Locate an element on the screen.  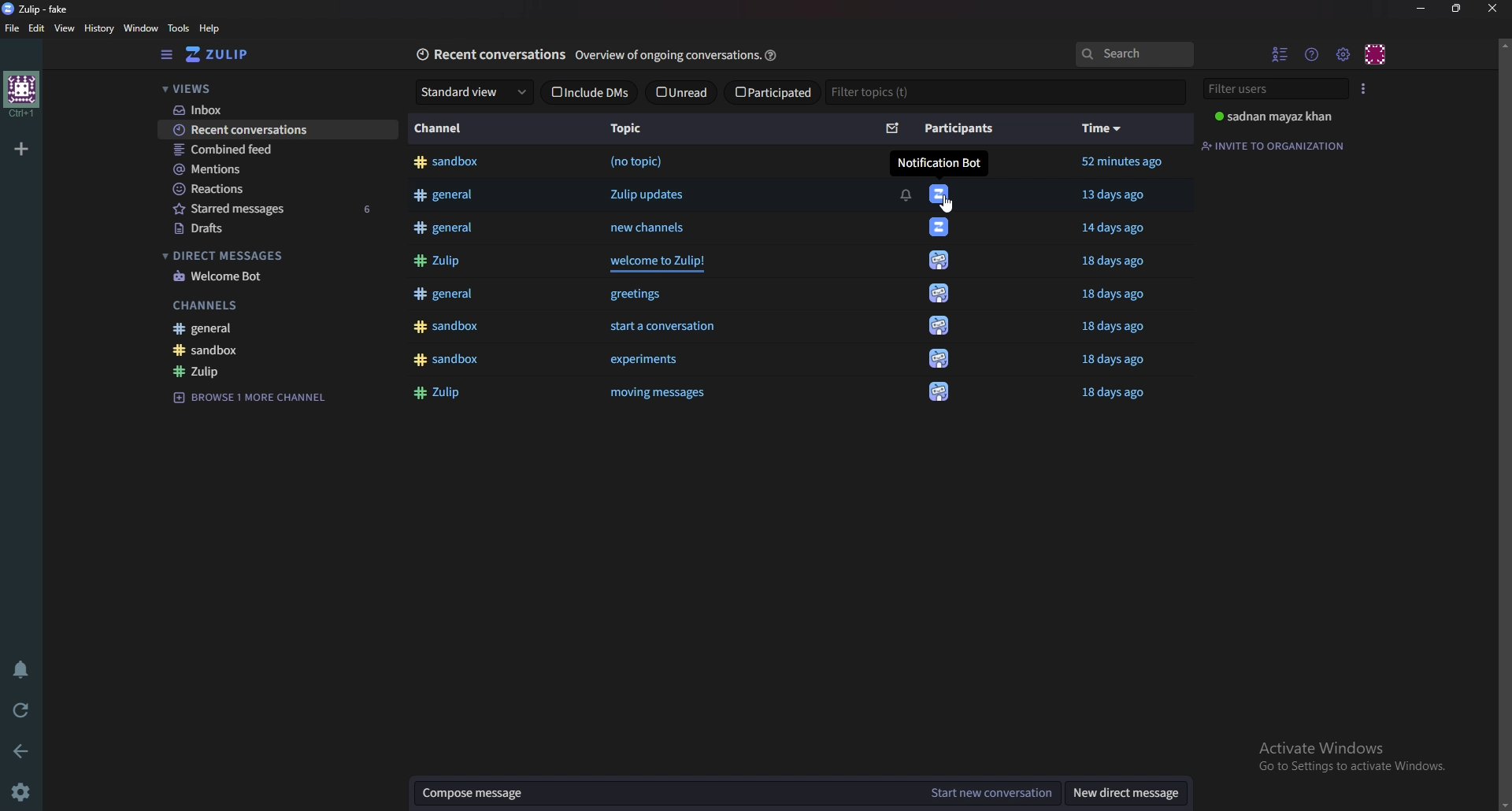
sadnan mayaz khan is located at coordinates (1273, 117).